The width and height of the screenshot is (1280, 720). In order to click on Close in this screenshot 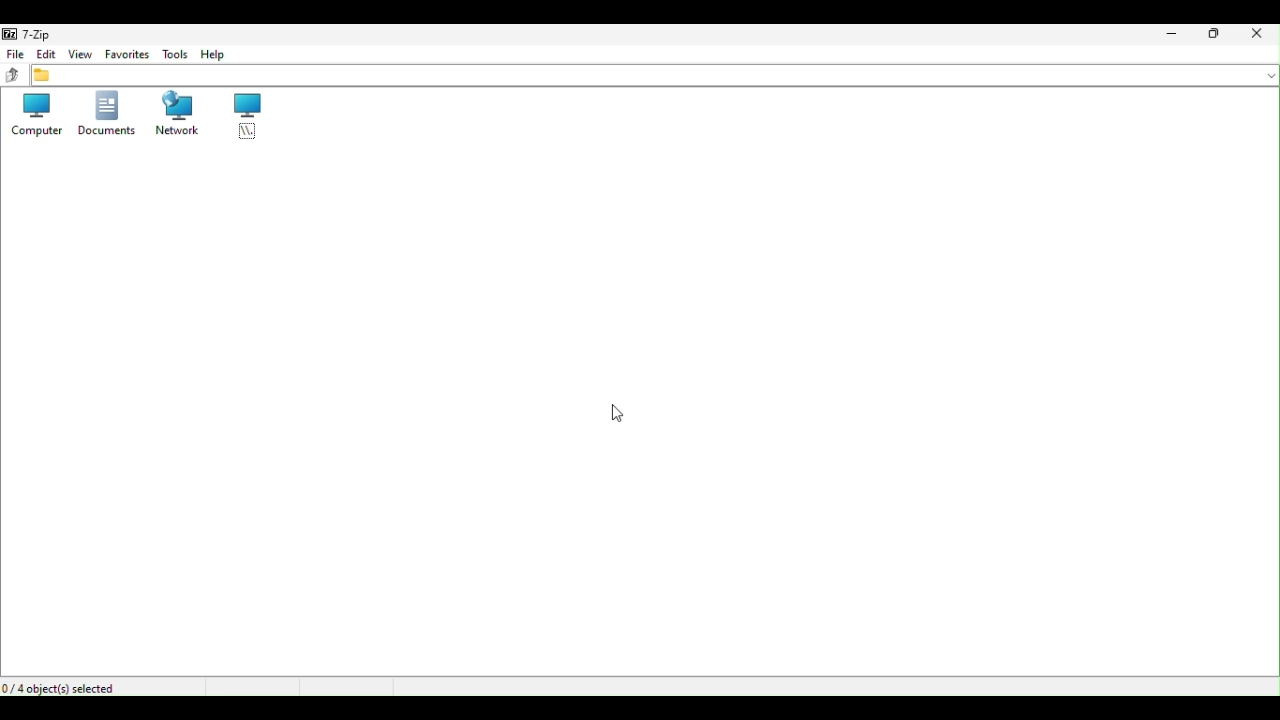, I will do `click(1263, 37)`.